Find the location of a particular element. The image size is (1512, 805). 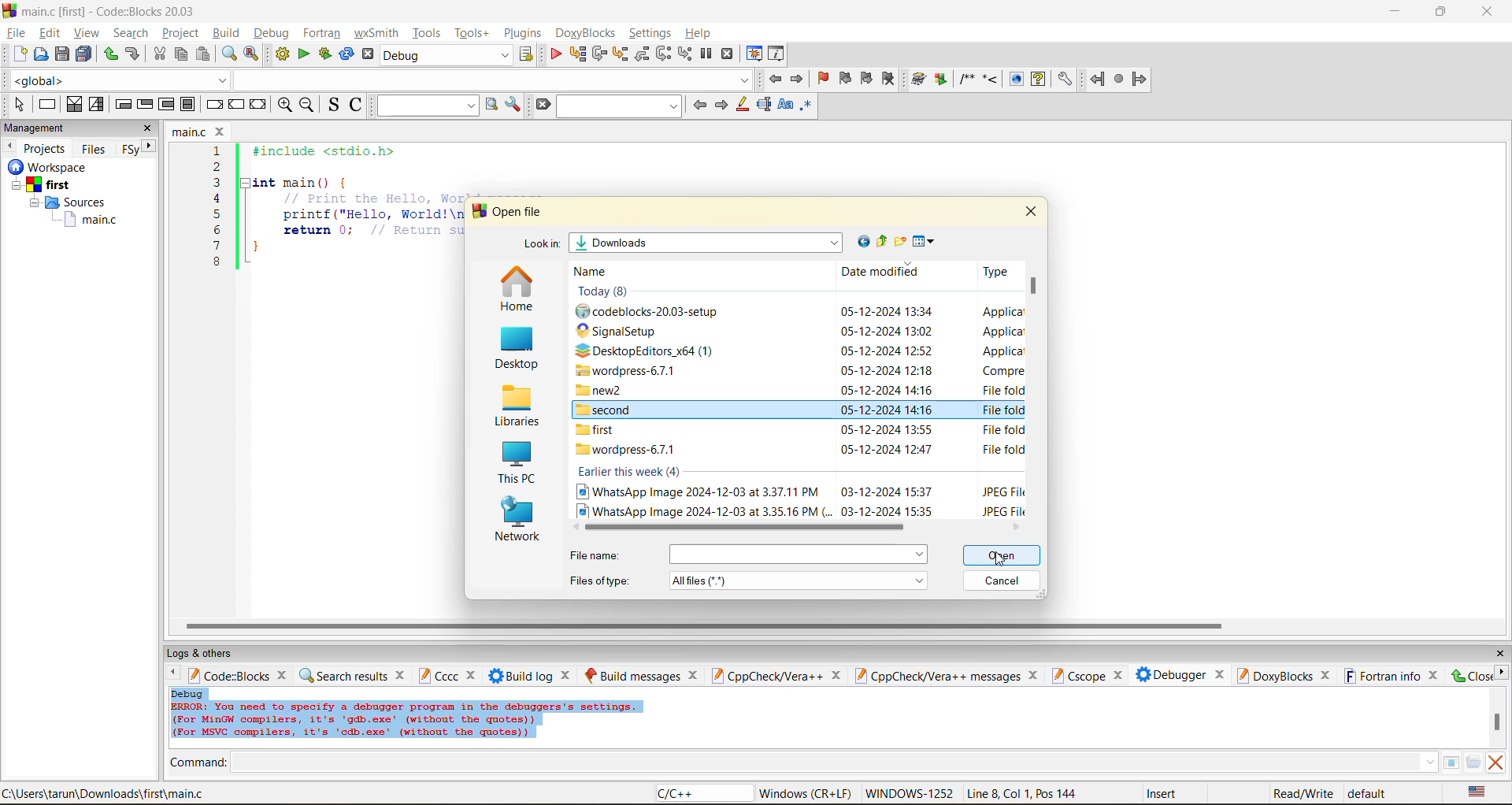

Windows 1252 is located at coordinates (910, 794).